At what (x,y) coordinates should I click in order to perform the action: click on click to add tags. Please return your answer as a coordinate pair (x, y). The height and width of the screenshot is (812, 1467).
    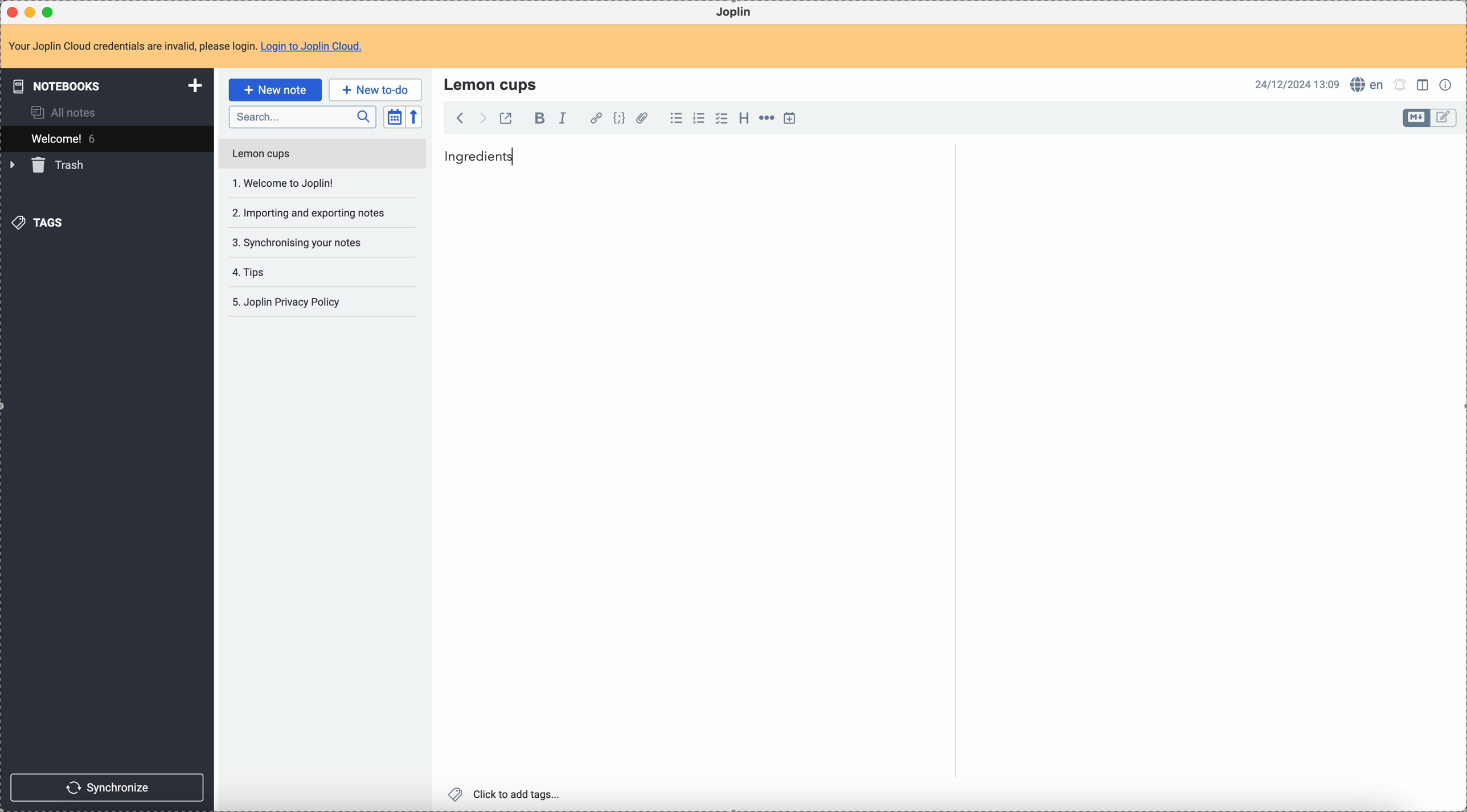
    Looking at the image, I should click on (507, 793).